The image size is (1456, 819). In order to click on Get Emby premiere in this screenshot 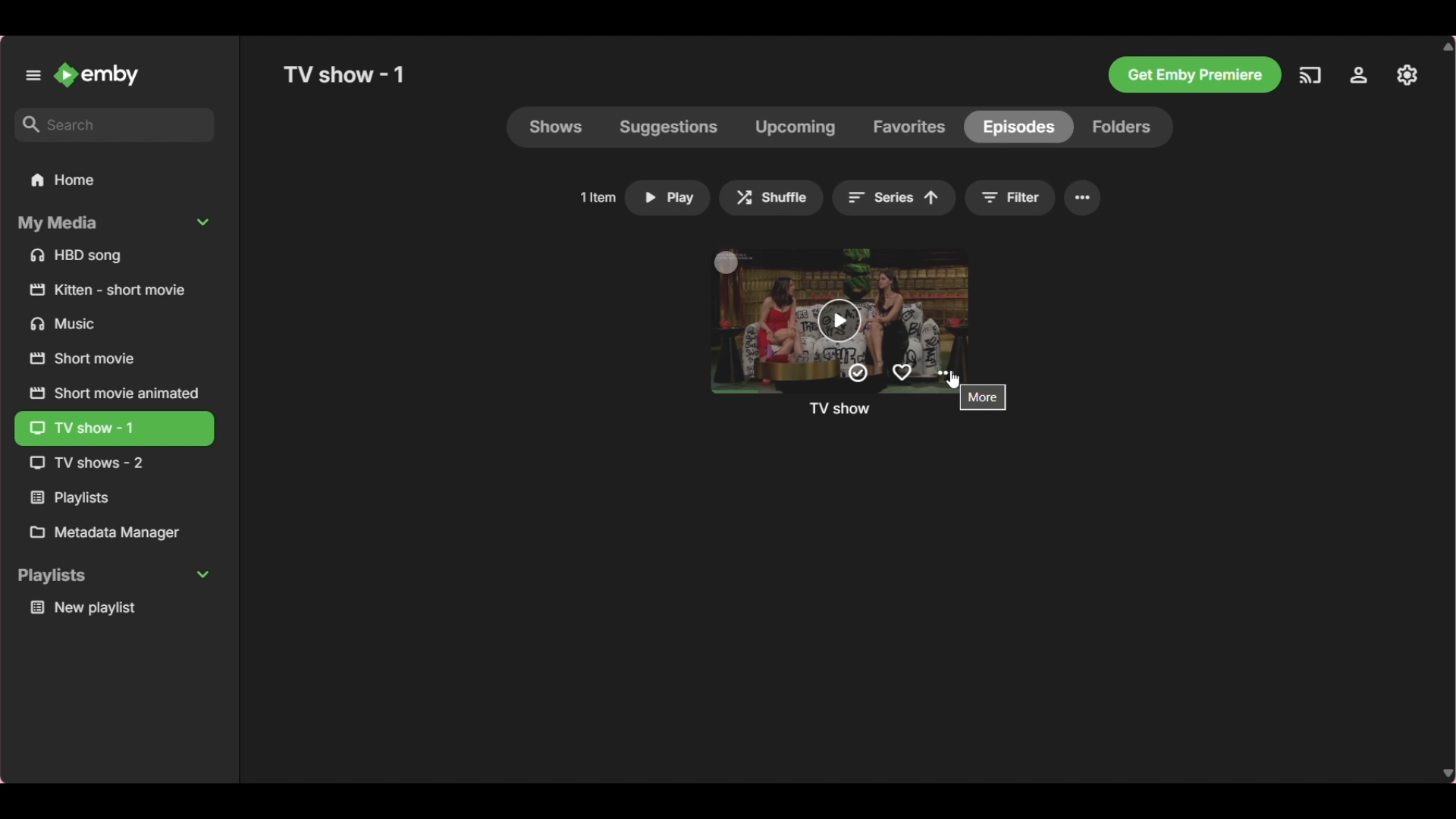, I will do `click(1194, 75)`.